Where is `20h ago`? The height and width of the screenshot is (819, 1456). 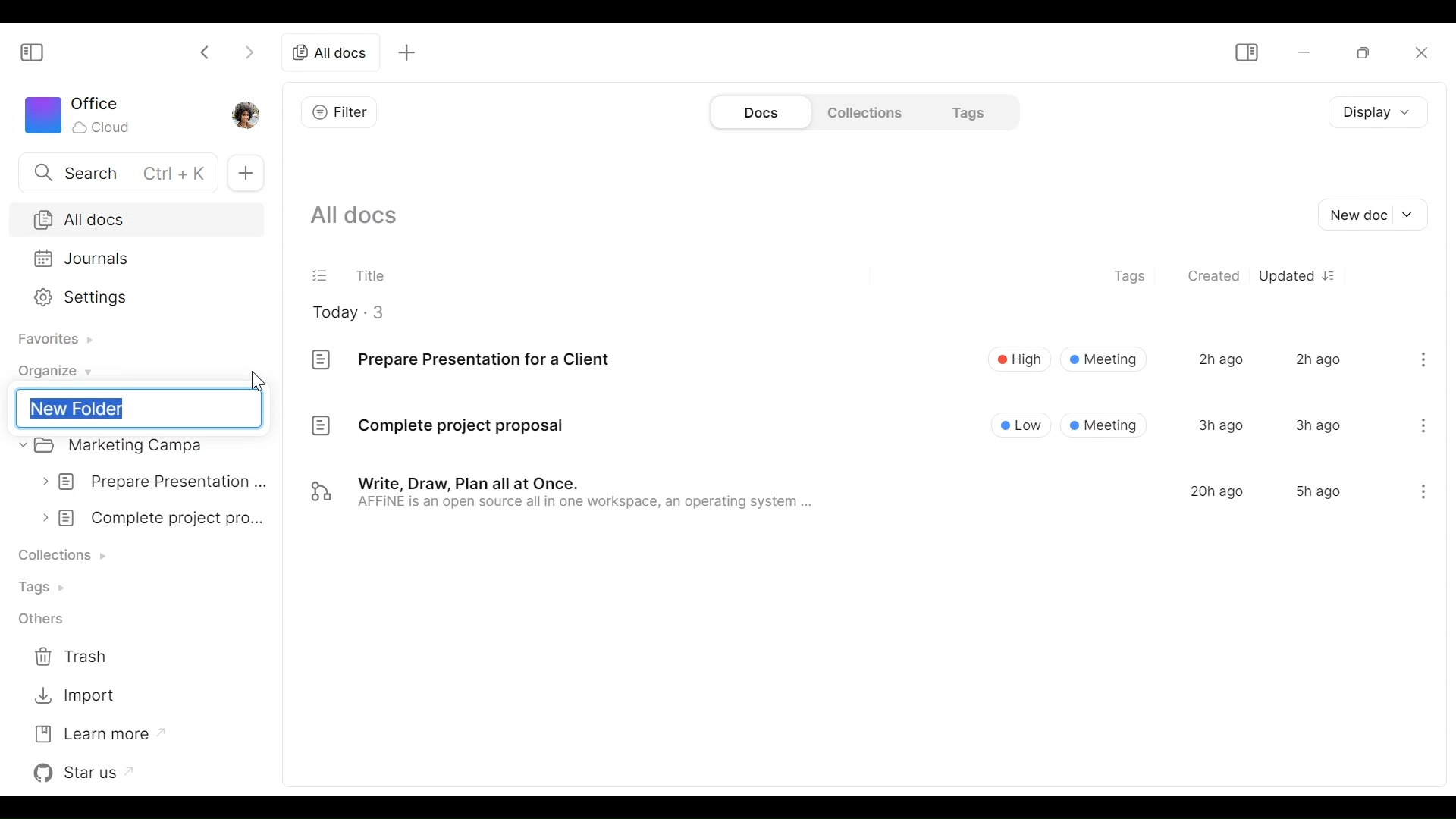 20h ago is located at coordinates (1217, 491).